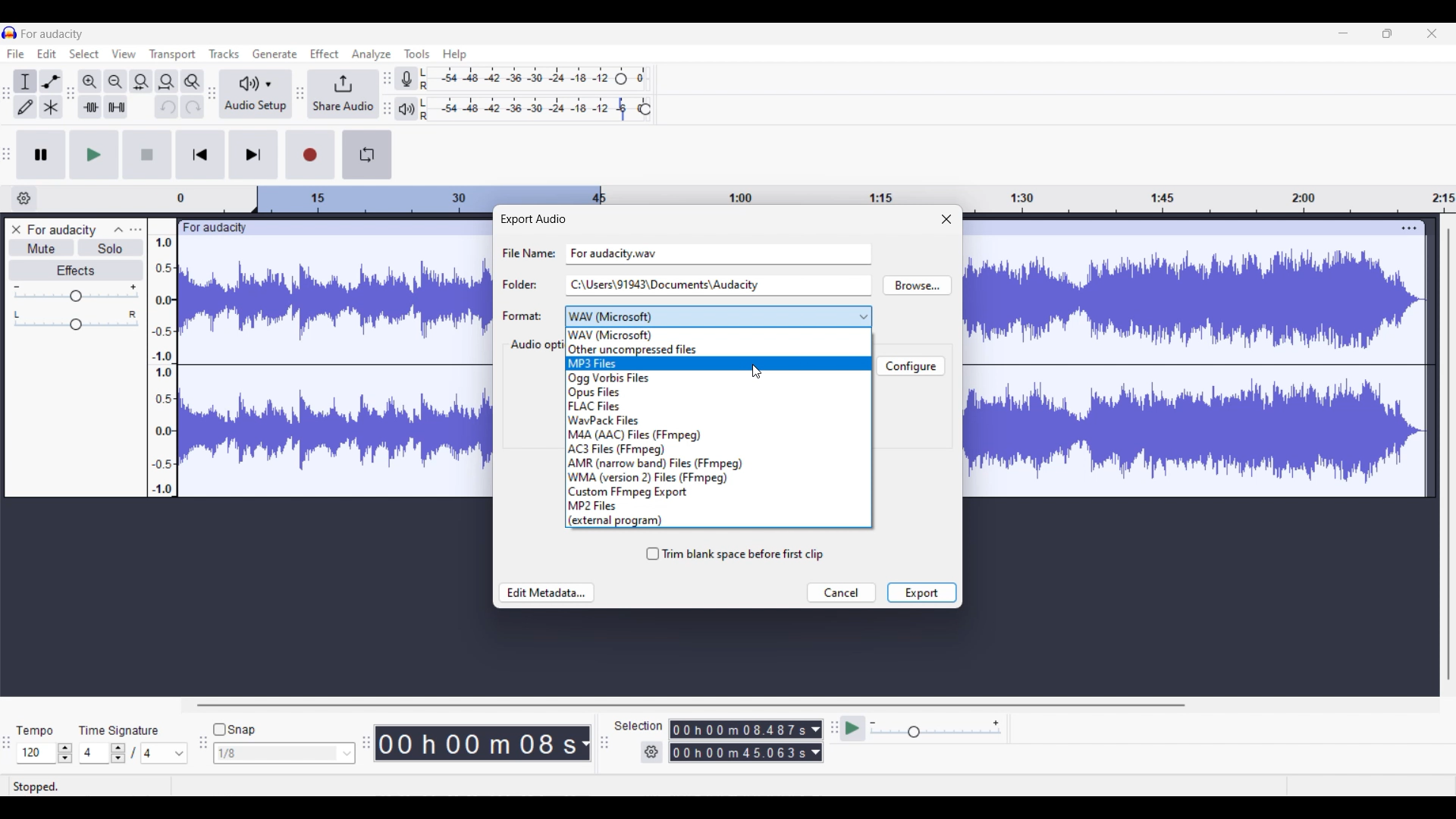 The height and width of the screenshot is (819, 1456). What do you see at coordinates (65, 753) in the screenshot?
I see `Increase/Decrease tempo` at bounding box center [65, 753].